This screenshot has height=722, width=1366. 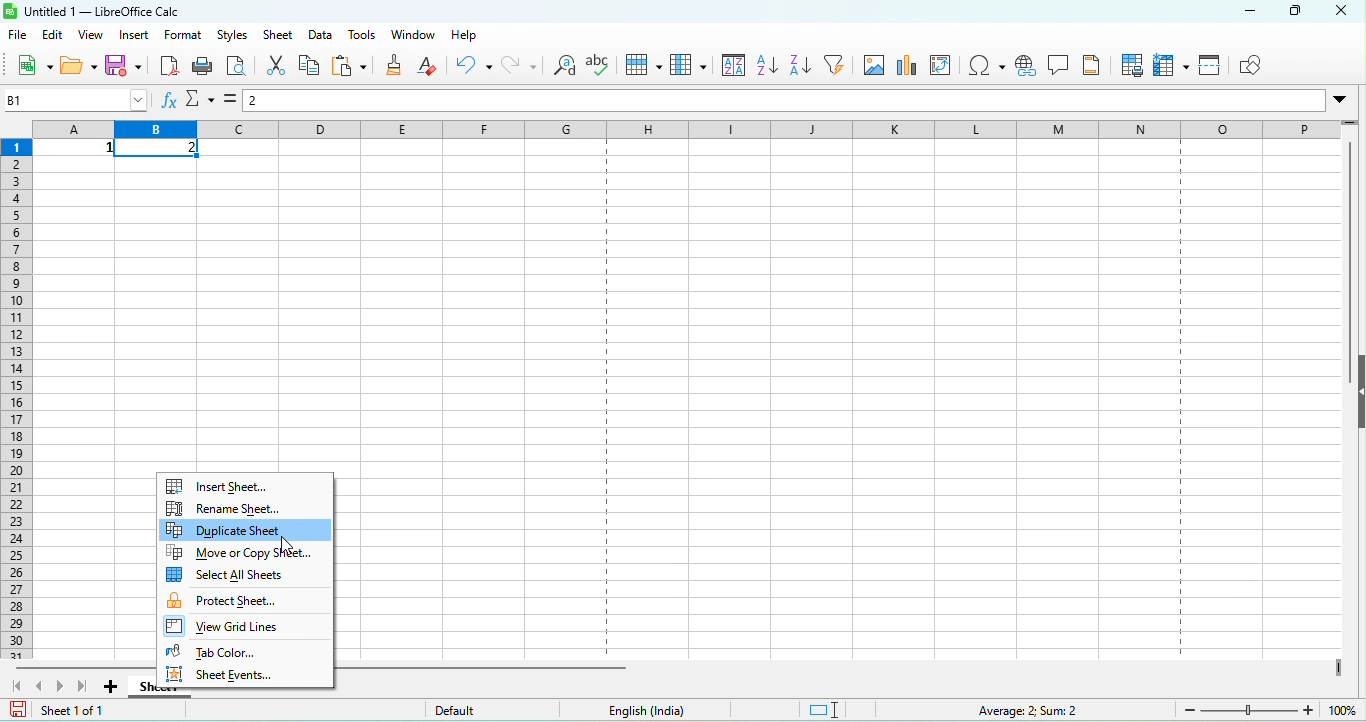 I want to click on headers and footers, so click(x=1097, y=69).